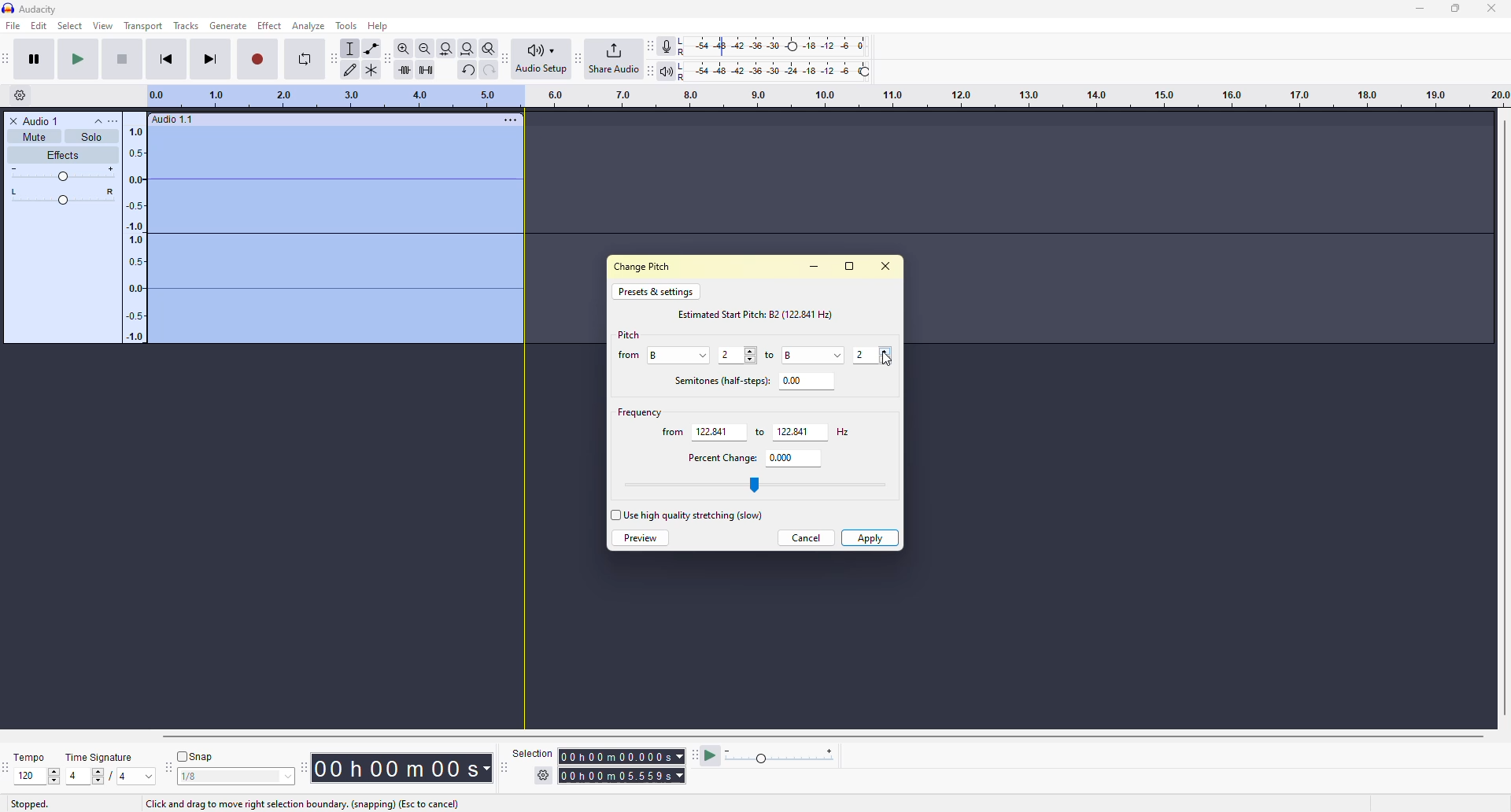 The width and height of the screenshot is (1511, 812). Describe the element at coordinates (104, 25) in the screenshot. I see `view` at that location.